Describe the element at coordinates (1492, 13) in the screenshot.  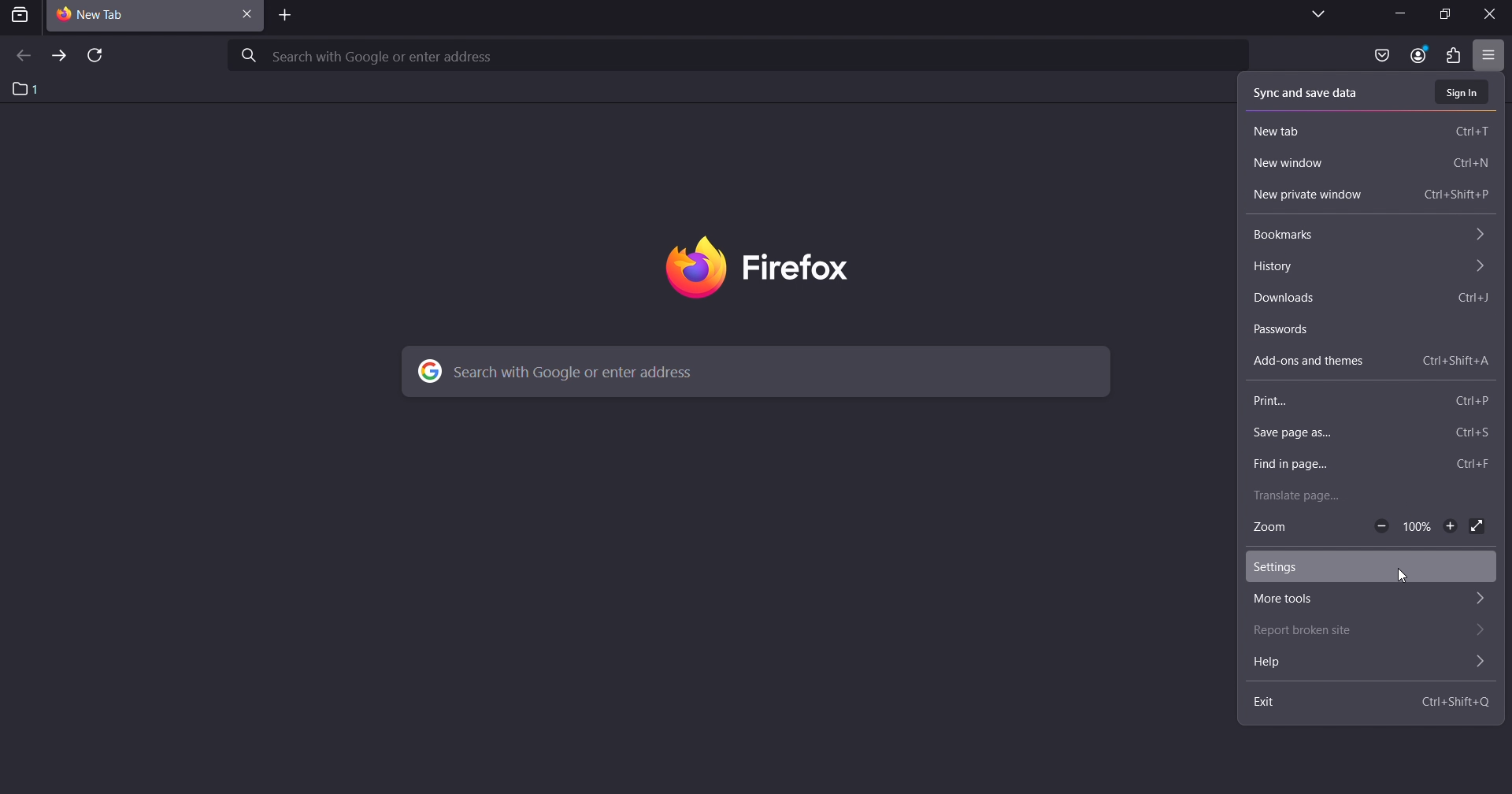
I see `close` at that location.